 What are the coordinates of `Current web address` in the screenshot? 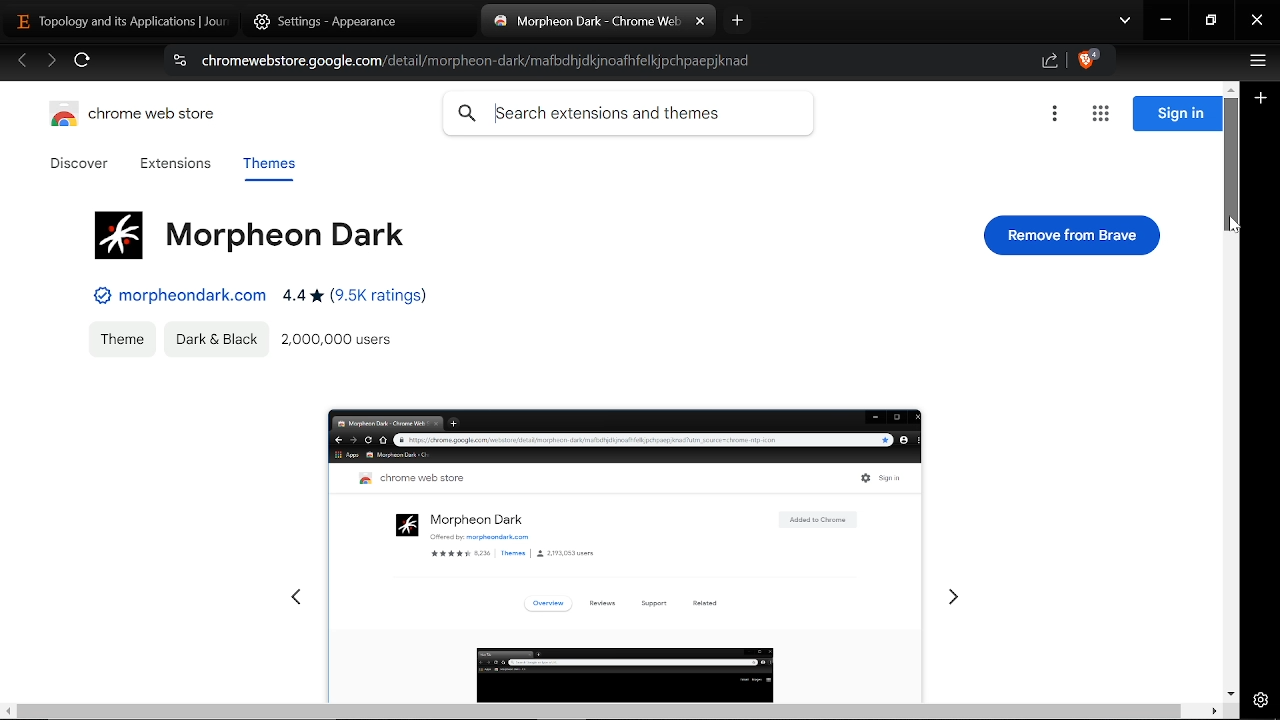 It's located at (482, 61).